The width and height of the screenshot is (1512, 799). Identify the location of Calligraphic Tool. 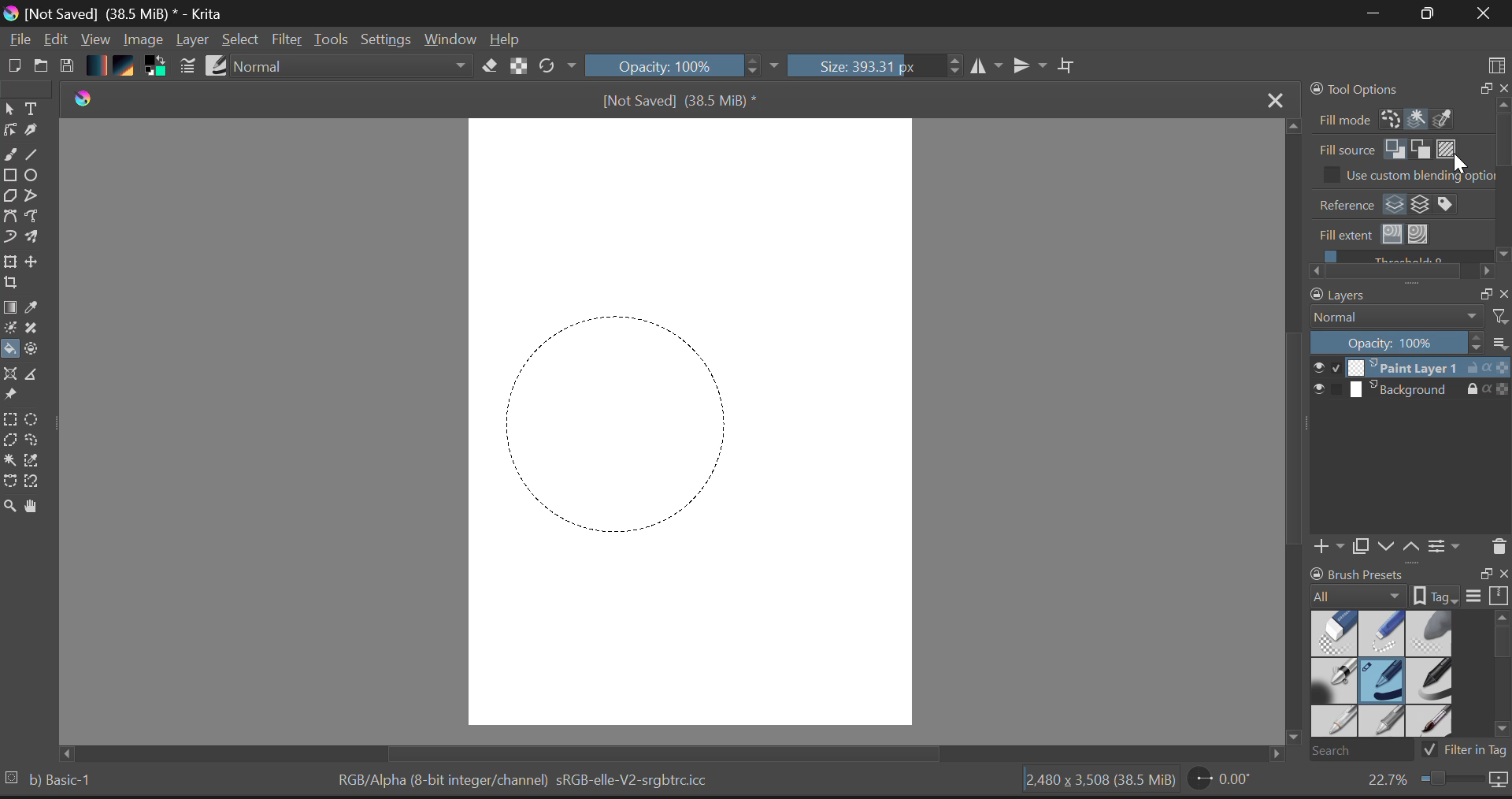
(31, 133).